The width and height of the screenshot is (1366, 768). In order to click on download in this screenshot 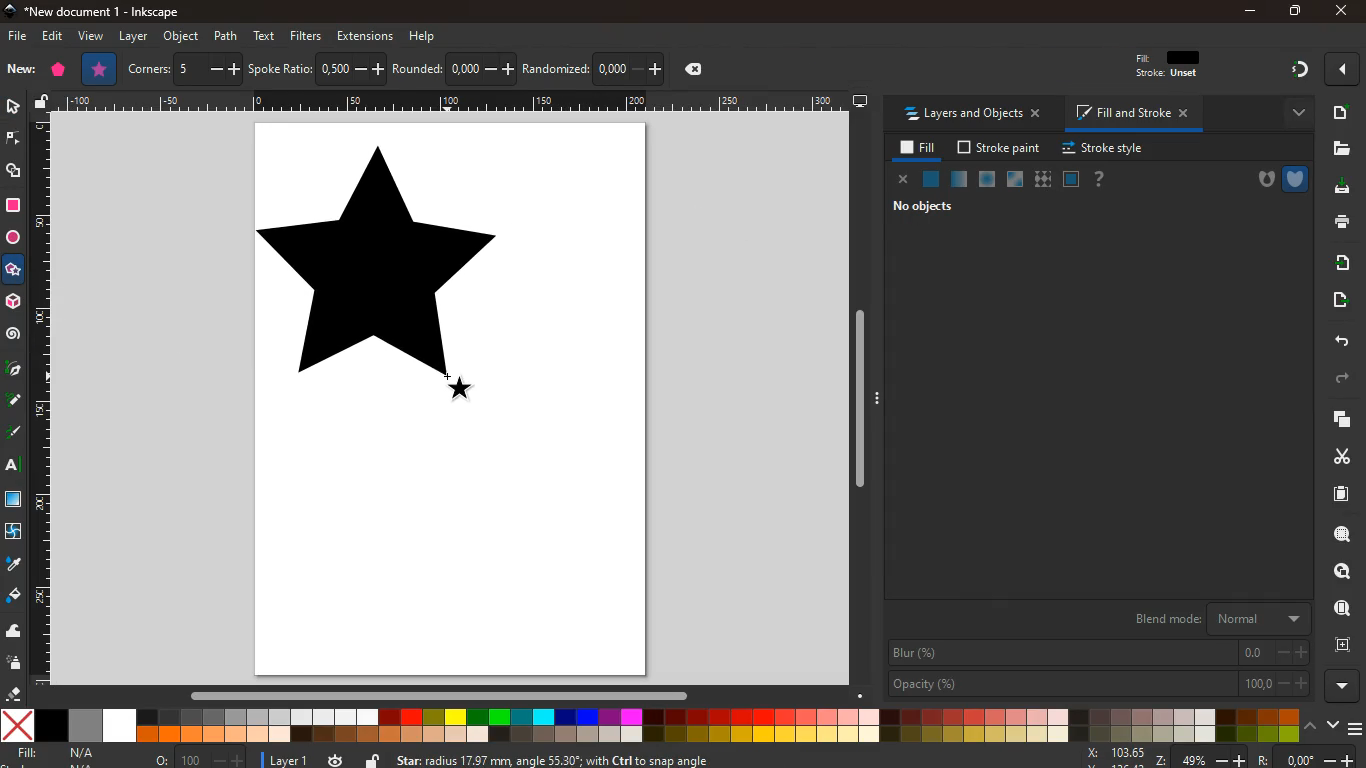, I will do `click(1342, 188)`.